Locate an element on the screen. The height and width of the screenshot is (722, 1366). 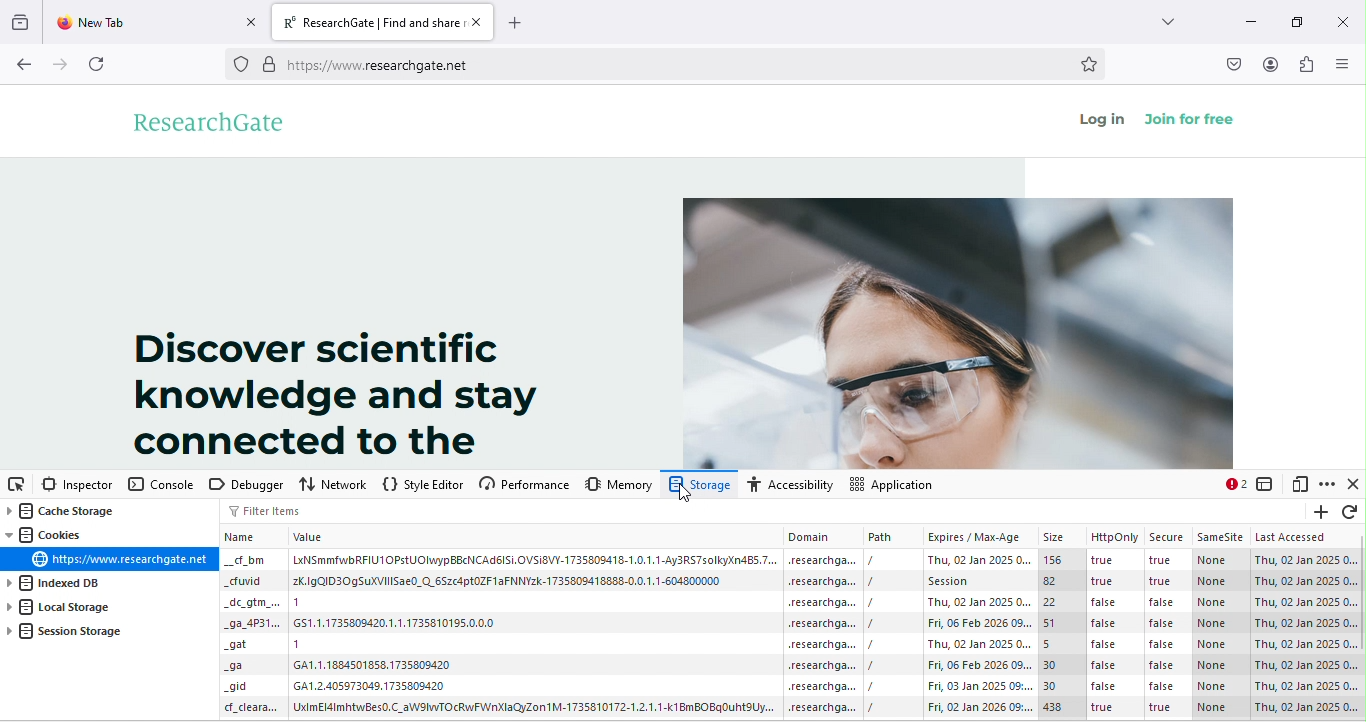
none is located at coordinates (1212, 602).